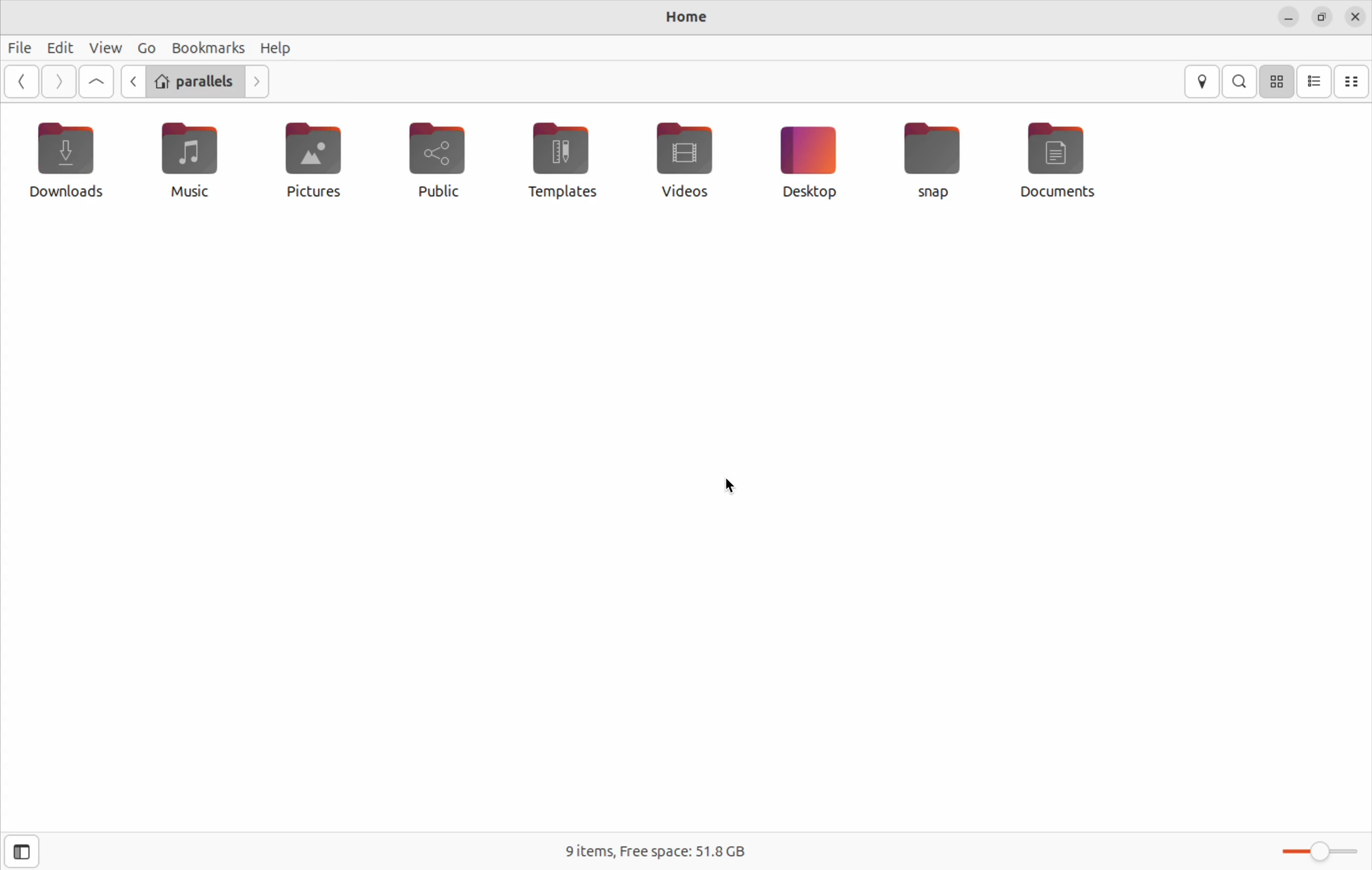 This screenshot has height=870, width=1372. I want to click on Go to first page, so click(98, 81).